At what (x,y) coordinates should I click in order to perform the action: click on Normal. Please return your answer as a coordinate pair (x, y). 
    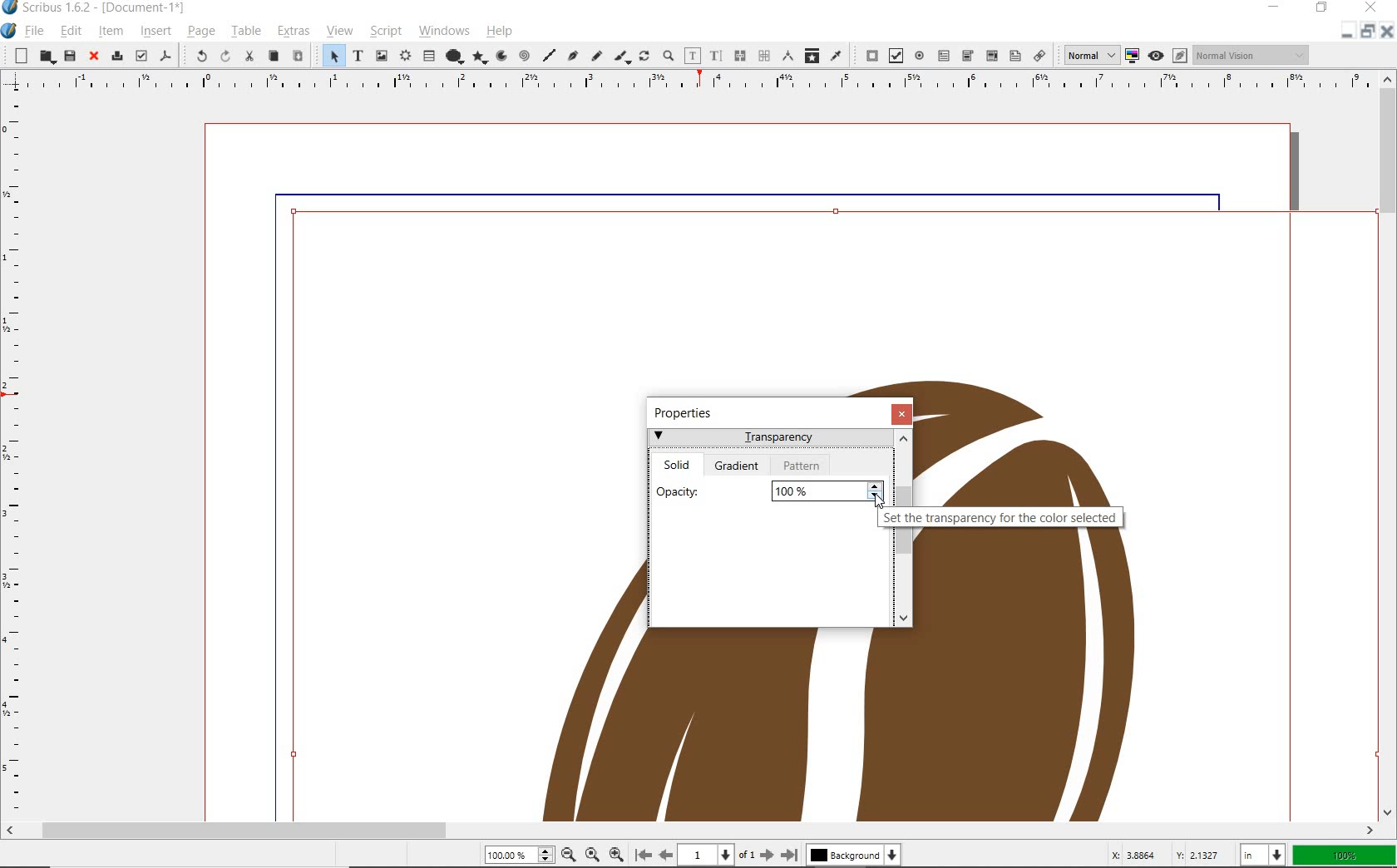
    Looking at the image, I should click on (1087, 55).